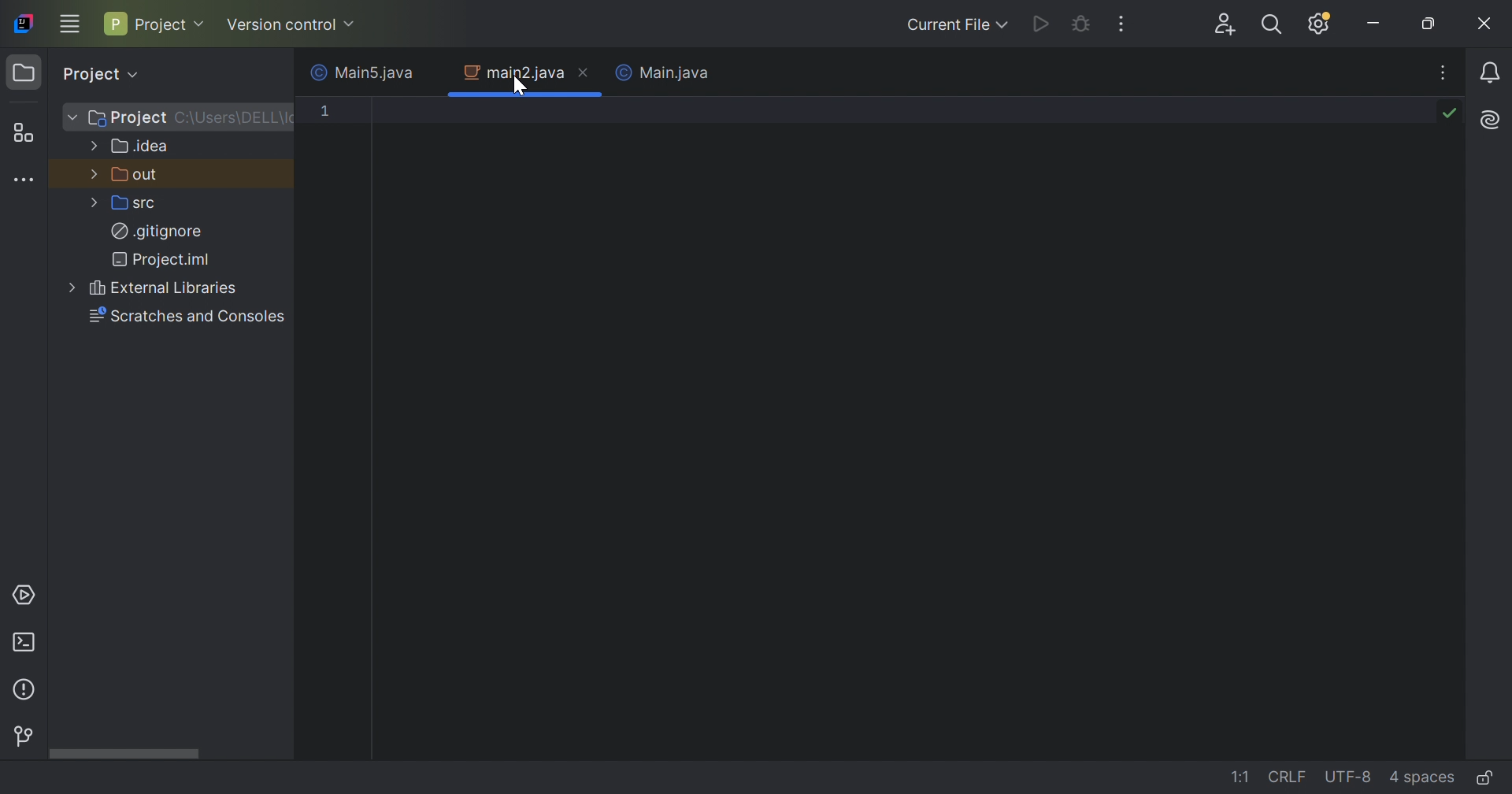  I want to click on src, so click(136, 206).